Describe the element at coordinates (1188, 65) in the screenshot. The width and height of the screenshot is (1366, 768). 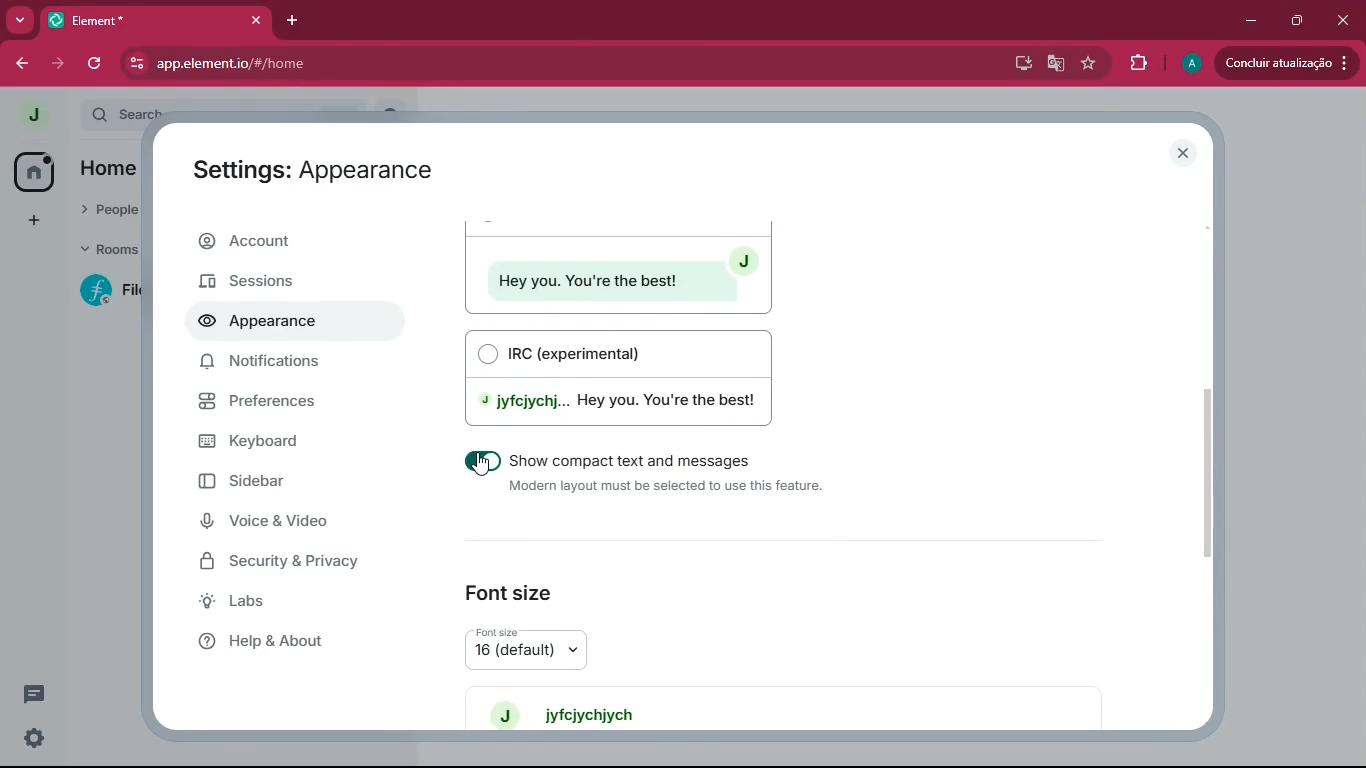
I see `profile` at that location.